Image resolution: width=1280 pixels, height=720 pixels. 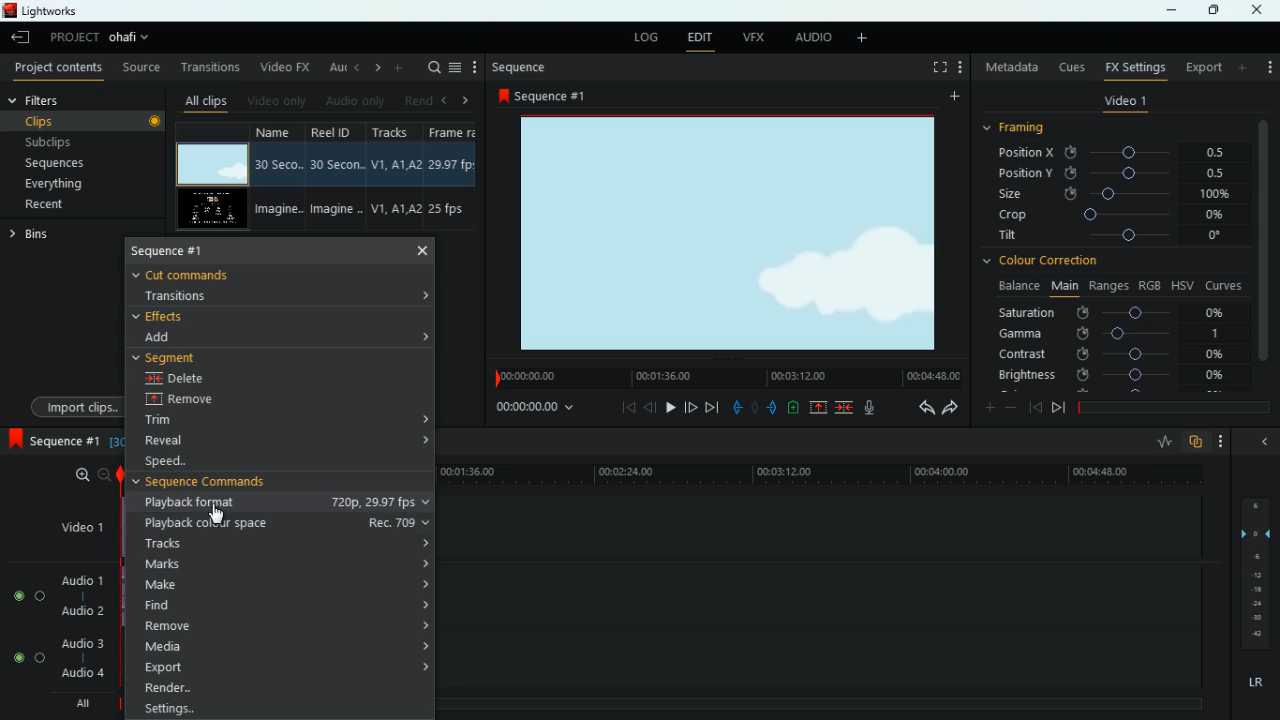 I want to click on overlap, so click(x=1194, y=444).